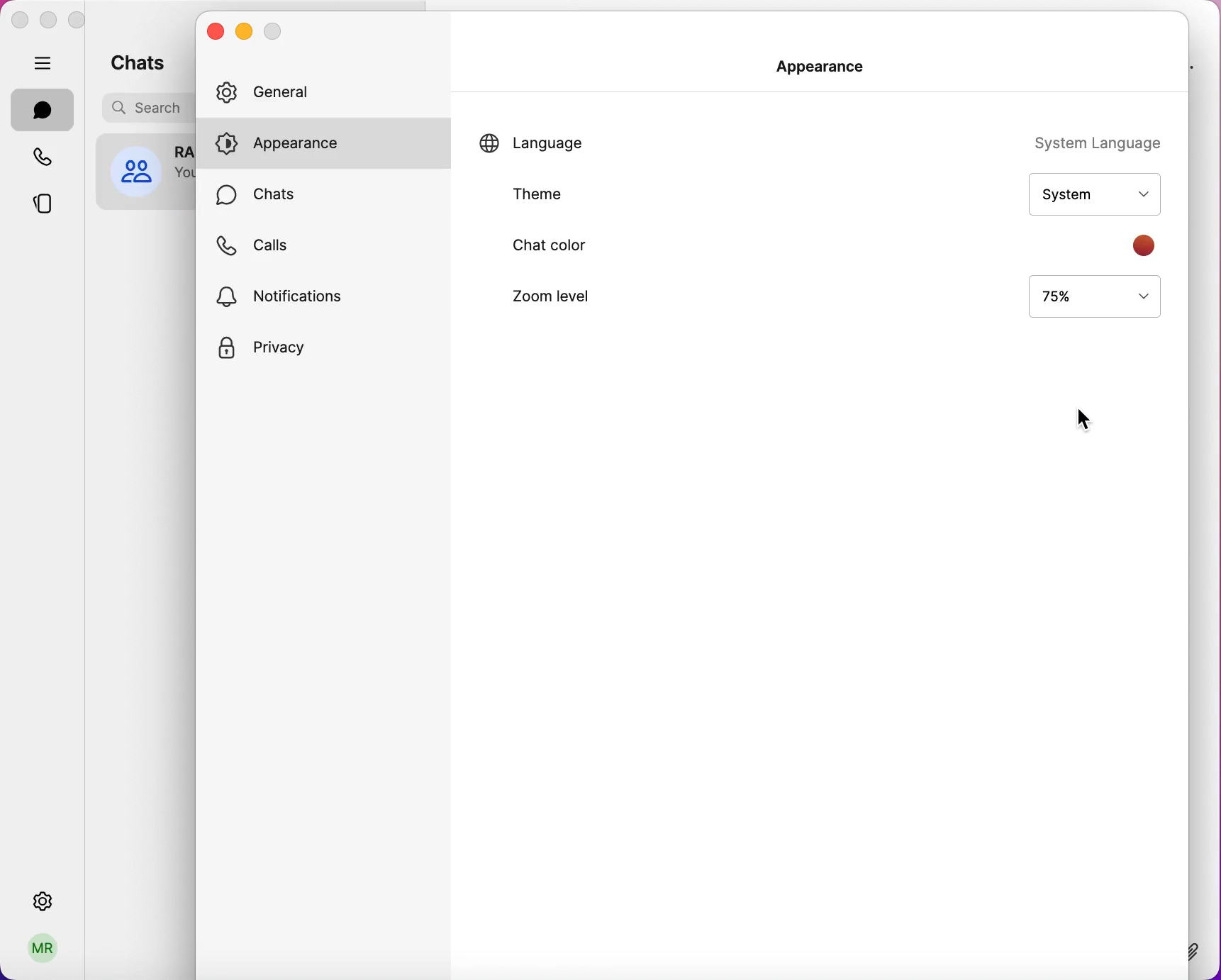 This screenshot has height=980, width=1221. I want to click on minimize, so click(49, 20).